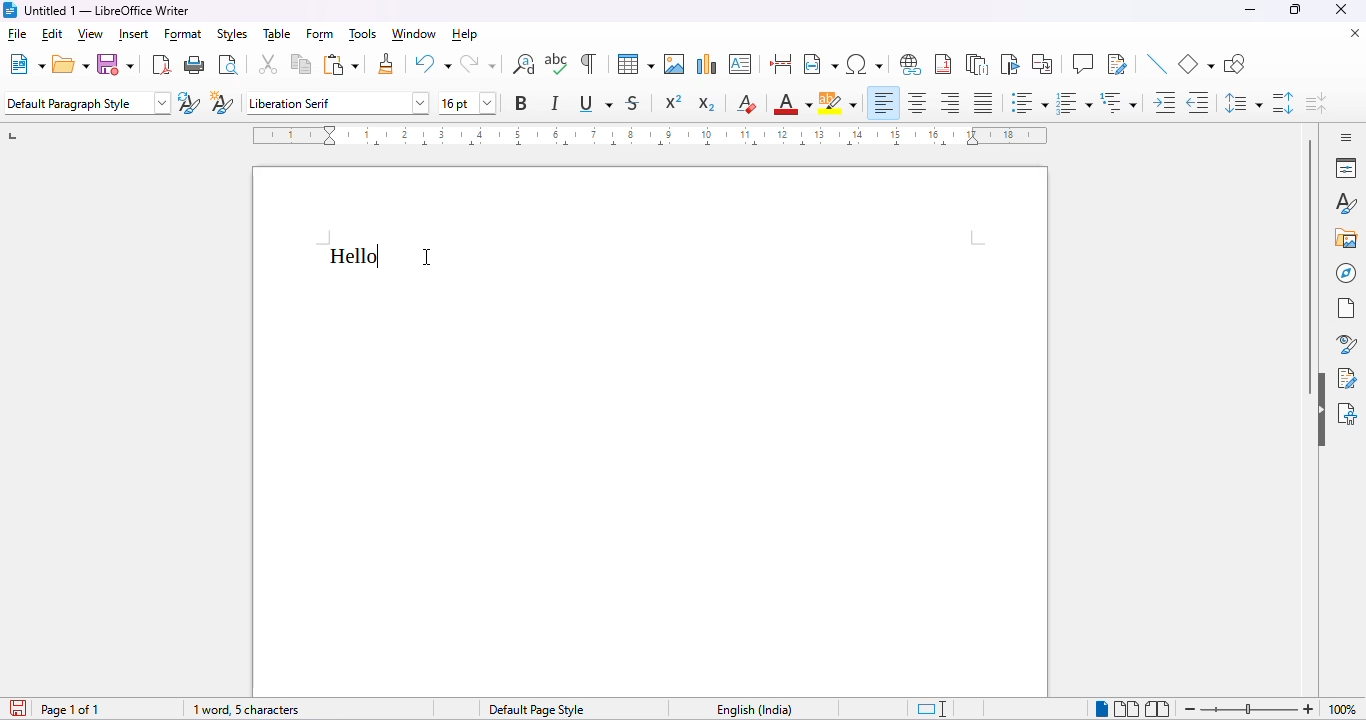 This screenshot has height=720, width=1366. Describe the element at coordinates (633, 103) in the screenshot. I see `strikethrough` at that location.